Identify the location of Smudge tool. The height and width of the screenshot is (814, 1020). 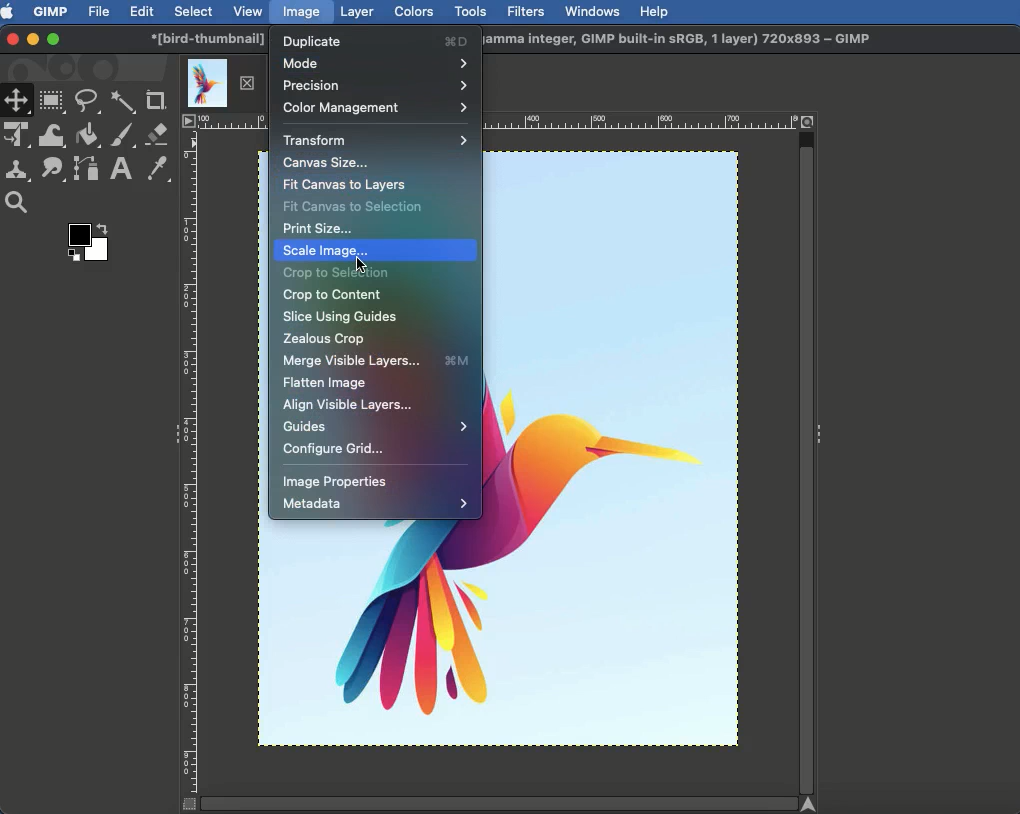
(54, 171).